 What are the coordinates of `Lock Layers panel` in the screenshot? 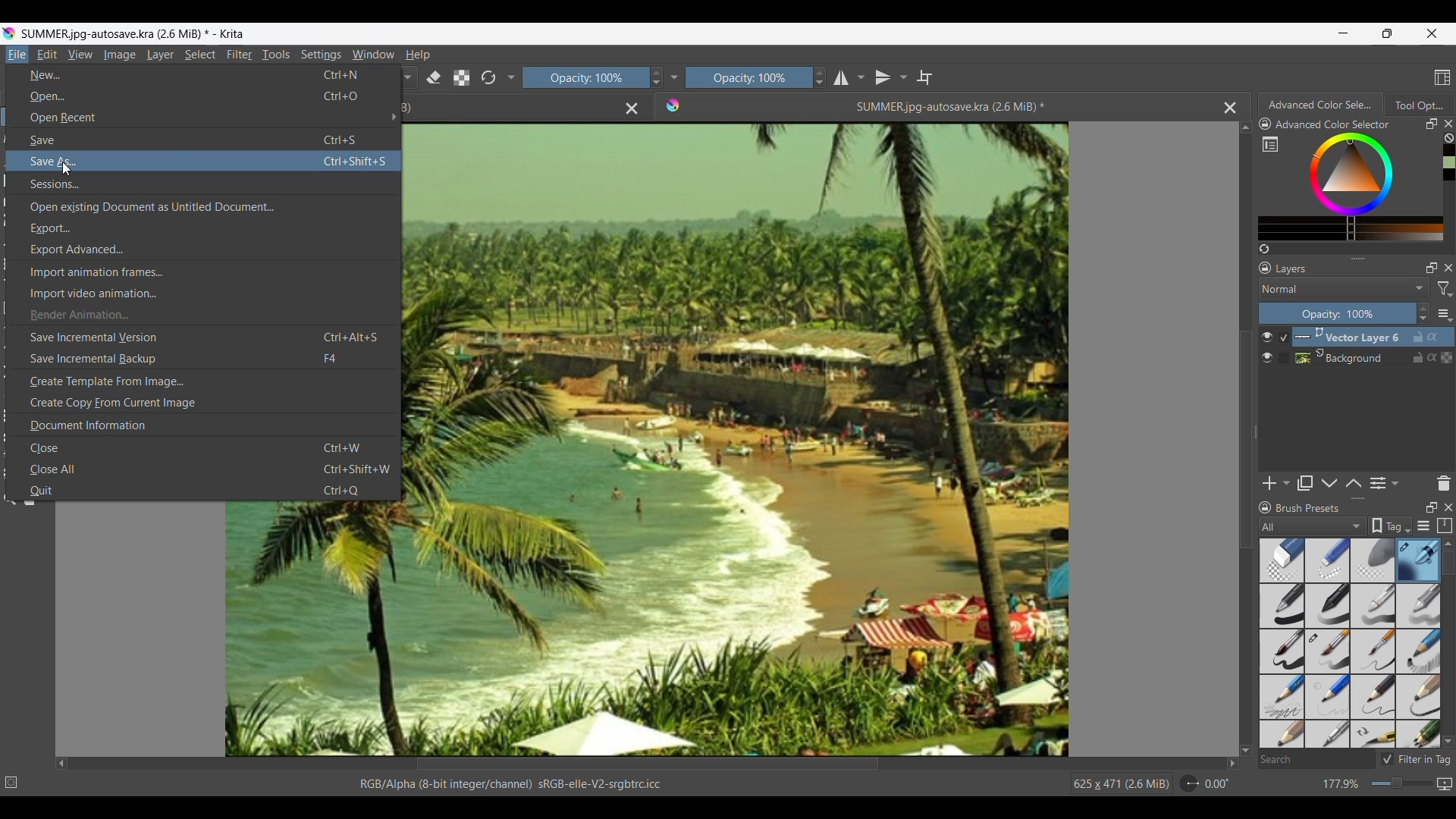 It's located at (1266, 268).